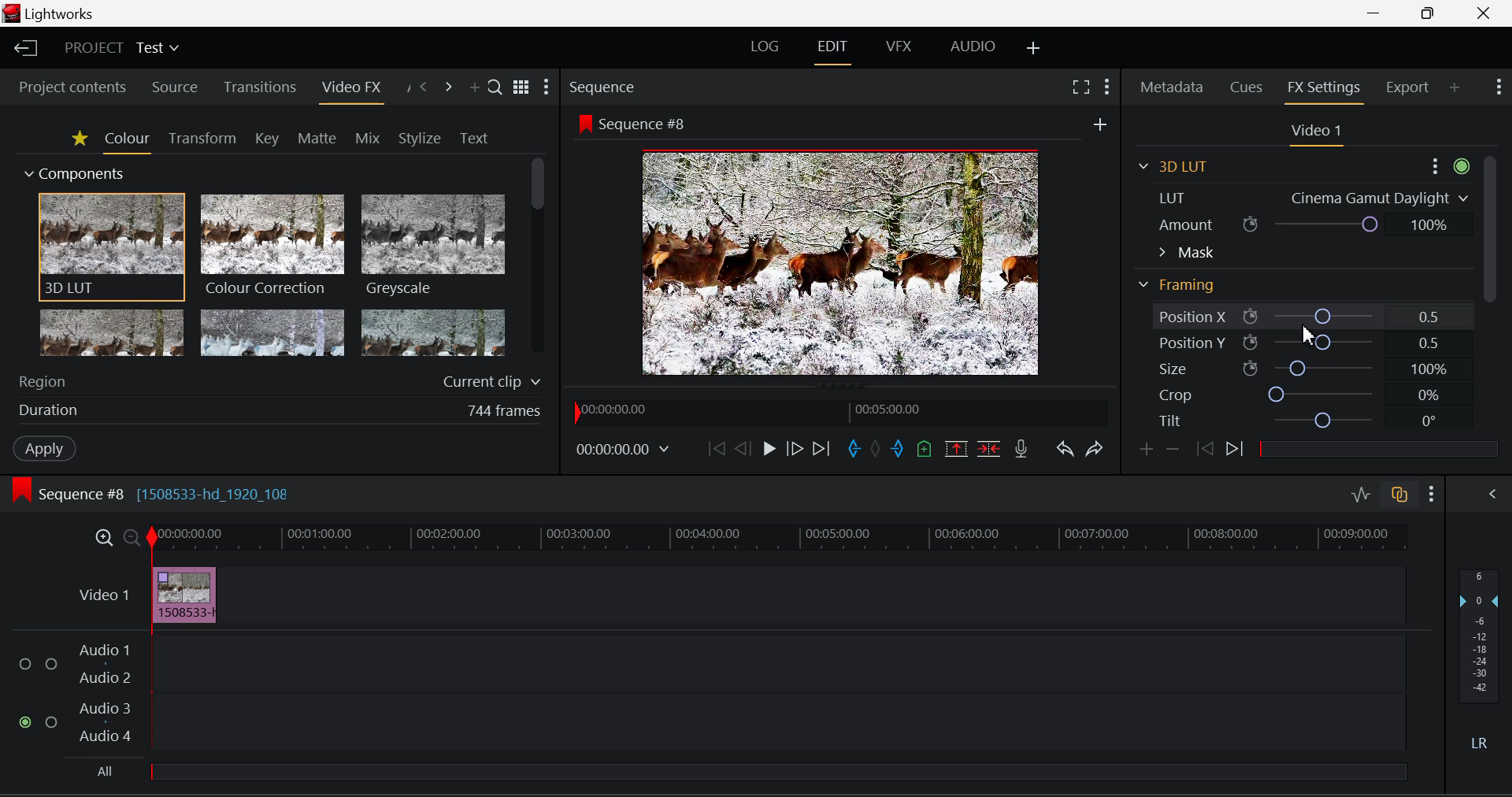  What do you see at coordinates (1235, 449) in the screenshot?
I see `Next keyframe` at bounding box center [1235, 449].